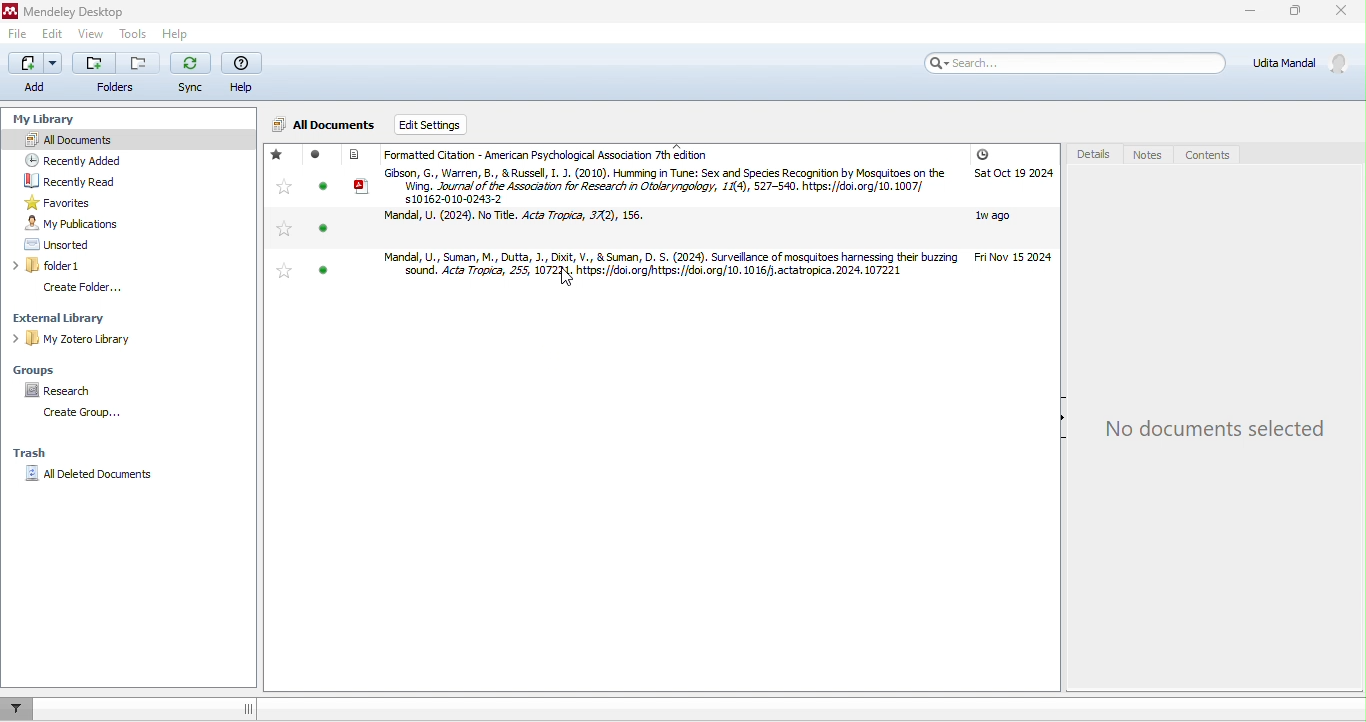 Image resolution: width=1366 pixels, height=722 pixels. Describe the element at coordinates (1247, 13) in the screenshot. I see `minimize` at that location.